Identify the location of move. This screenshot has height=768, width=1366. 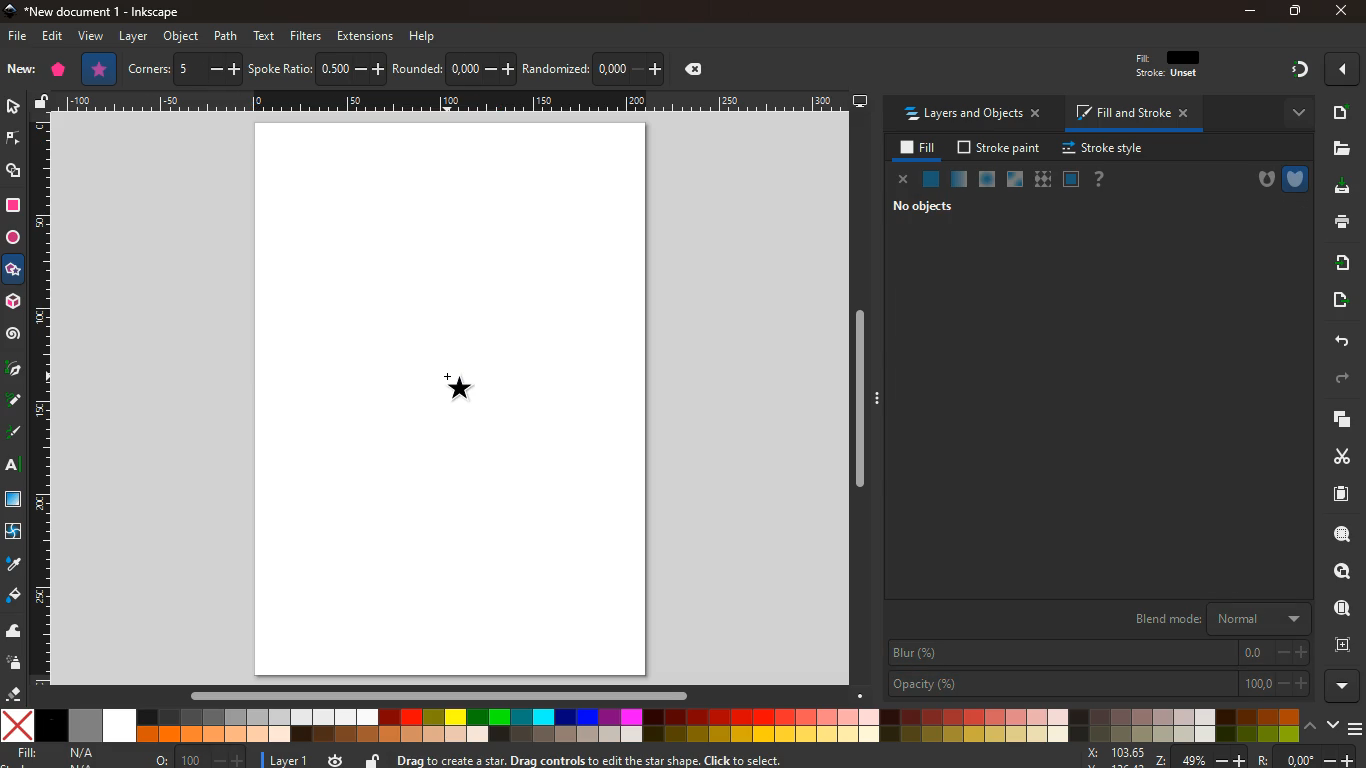
(1337, 301).